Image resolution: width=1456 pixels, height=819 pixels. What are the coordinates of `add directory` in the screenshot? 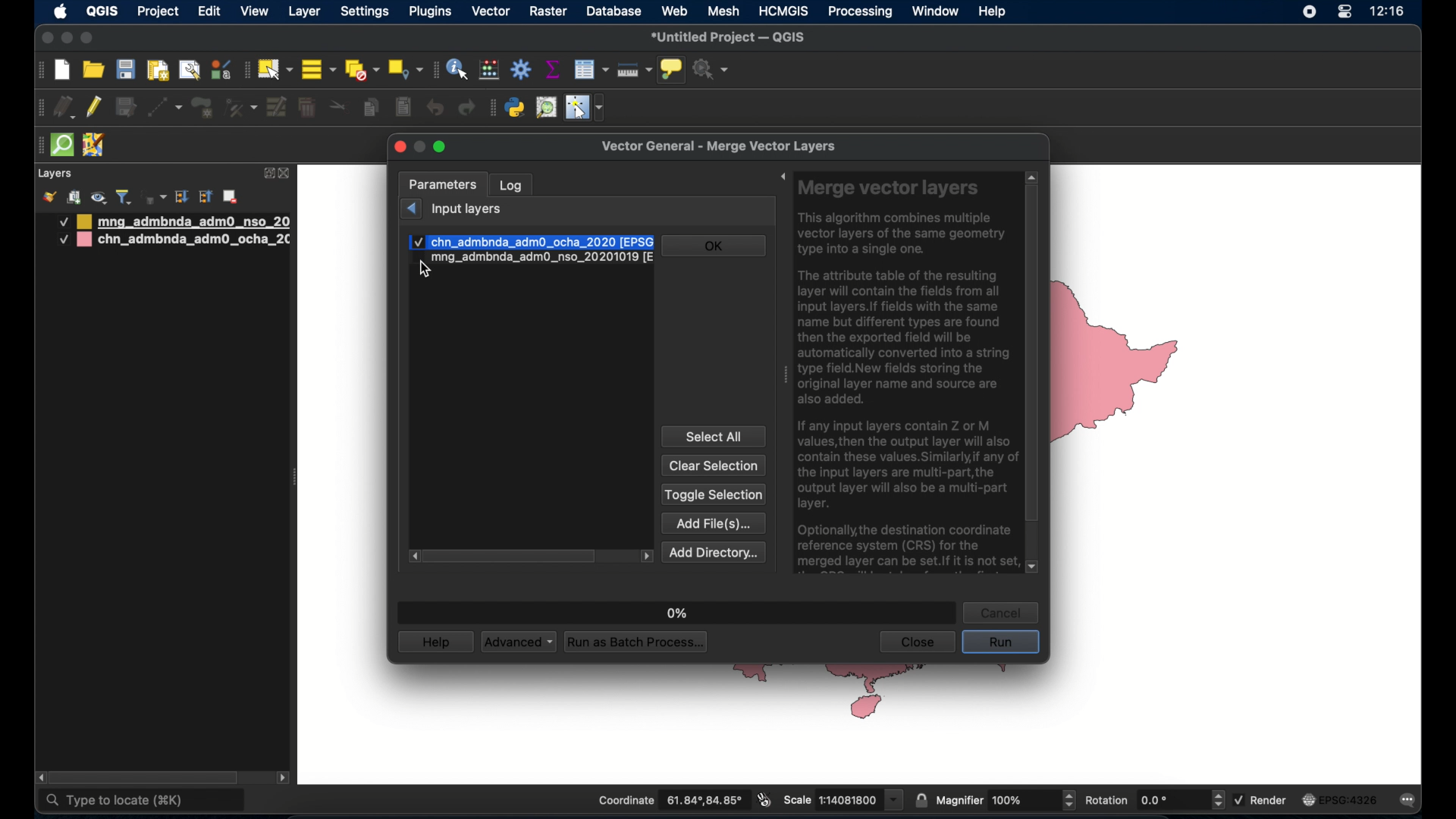 It's located at (714, 552).